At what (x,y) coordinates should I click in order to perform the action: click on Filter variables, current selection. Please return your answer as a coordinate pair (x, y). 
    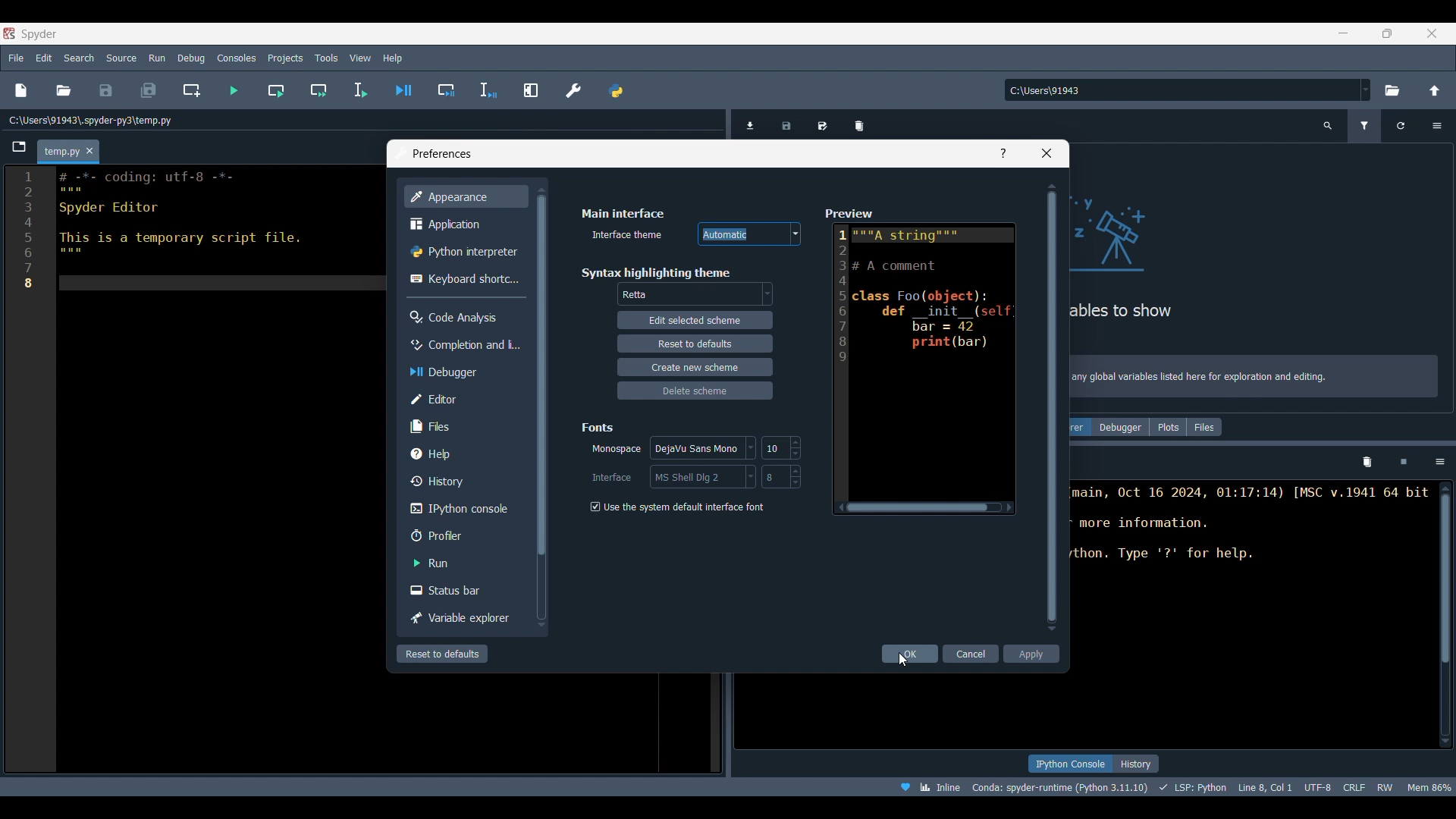
    Looking at the image, I should click on (1366, 126).